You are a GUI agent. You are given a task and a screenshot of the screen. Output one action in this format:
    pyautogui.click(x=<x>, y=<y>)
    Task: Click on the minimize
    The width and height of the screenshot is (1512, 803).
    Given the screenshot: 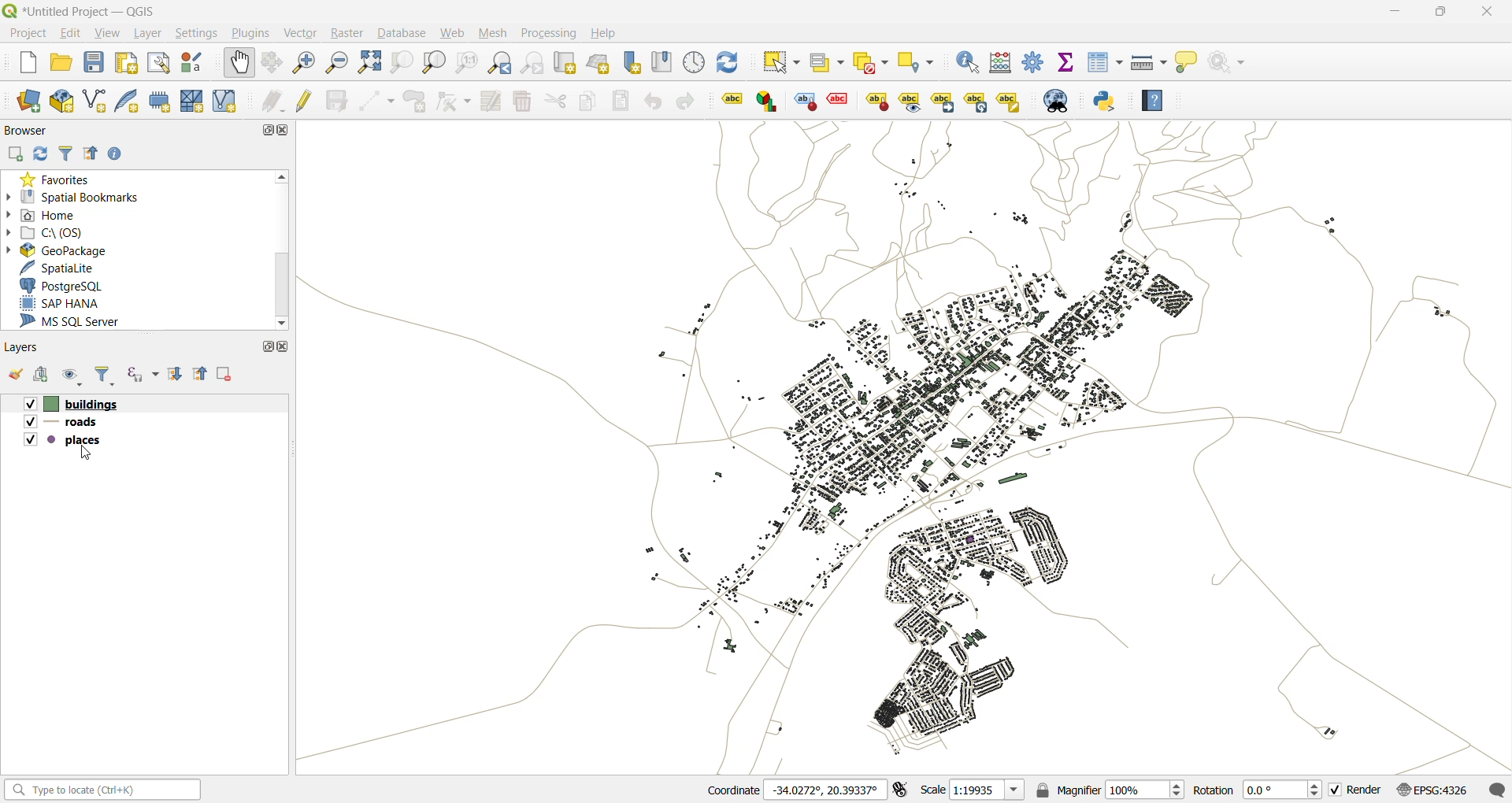 What is the action you would take?
    pyautogui.click(x=1401, y=11)
    